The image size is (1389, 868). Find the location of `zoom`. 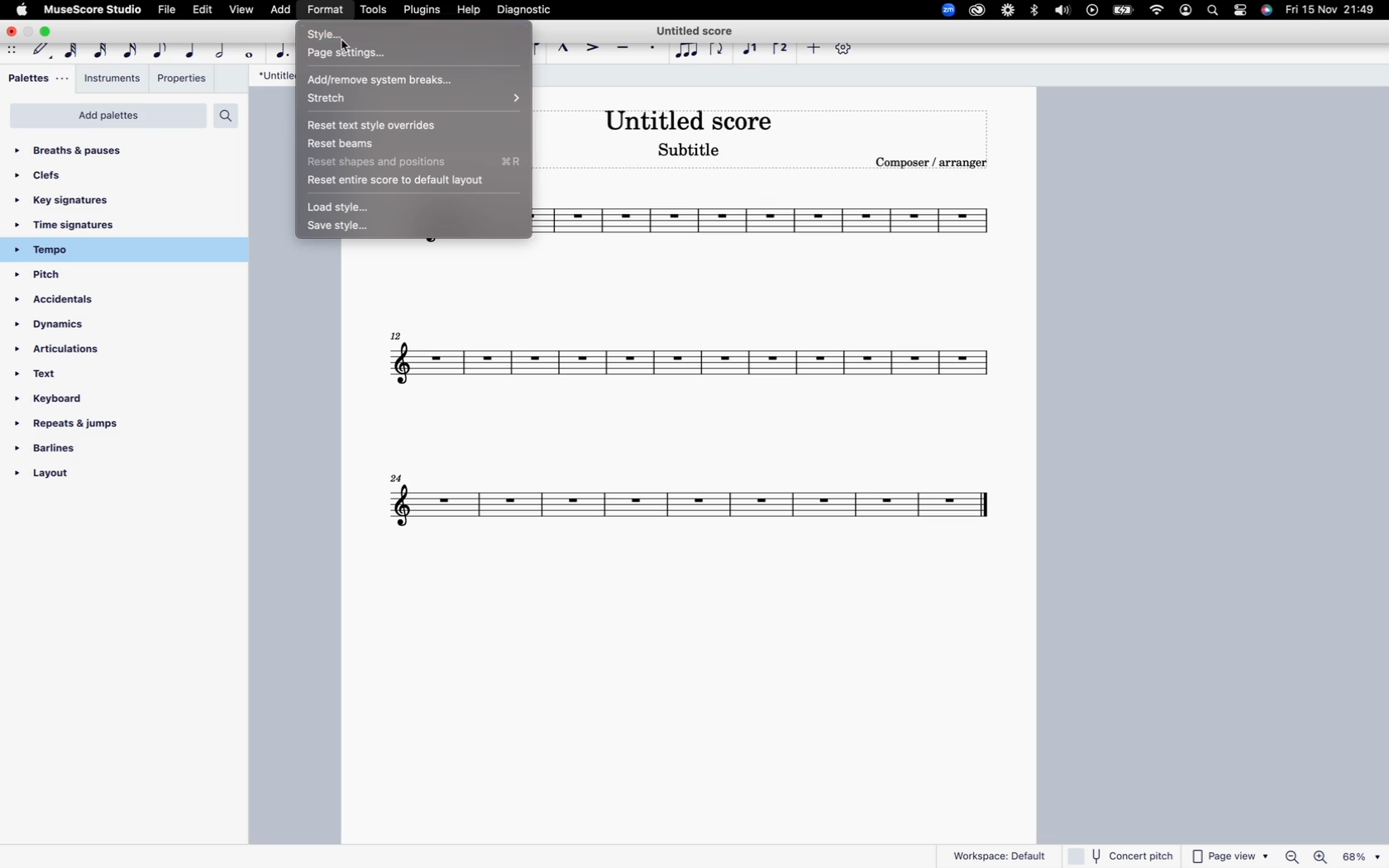

zoom is located at coordinates (1331, 857).